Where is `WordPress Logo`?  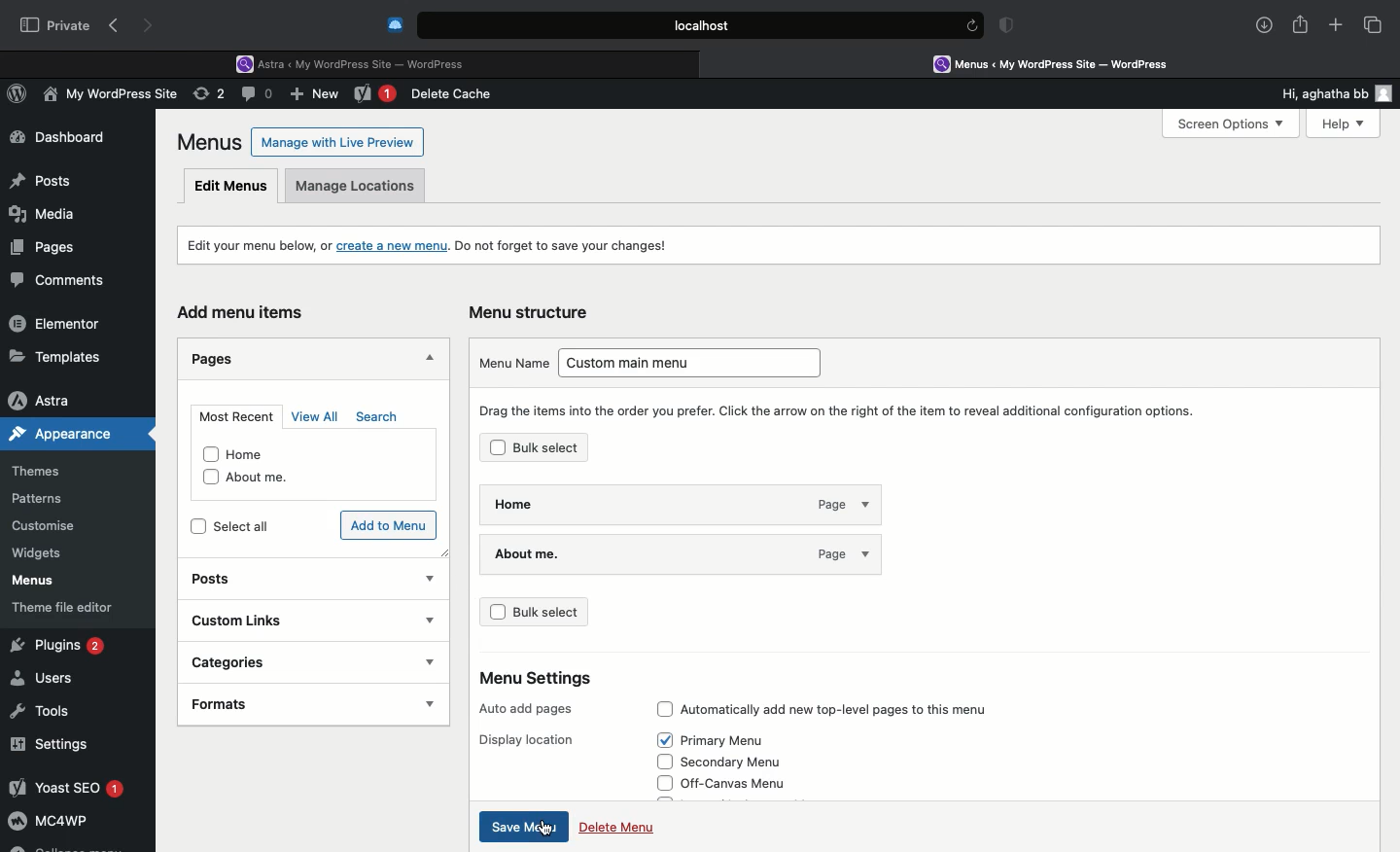
WordPress Logo is located at coordinates (20, 96).